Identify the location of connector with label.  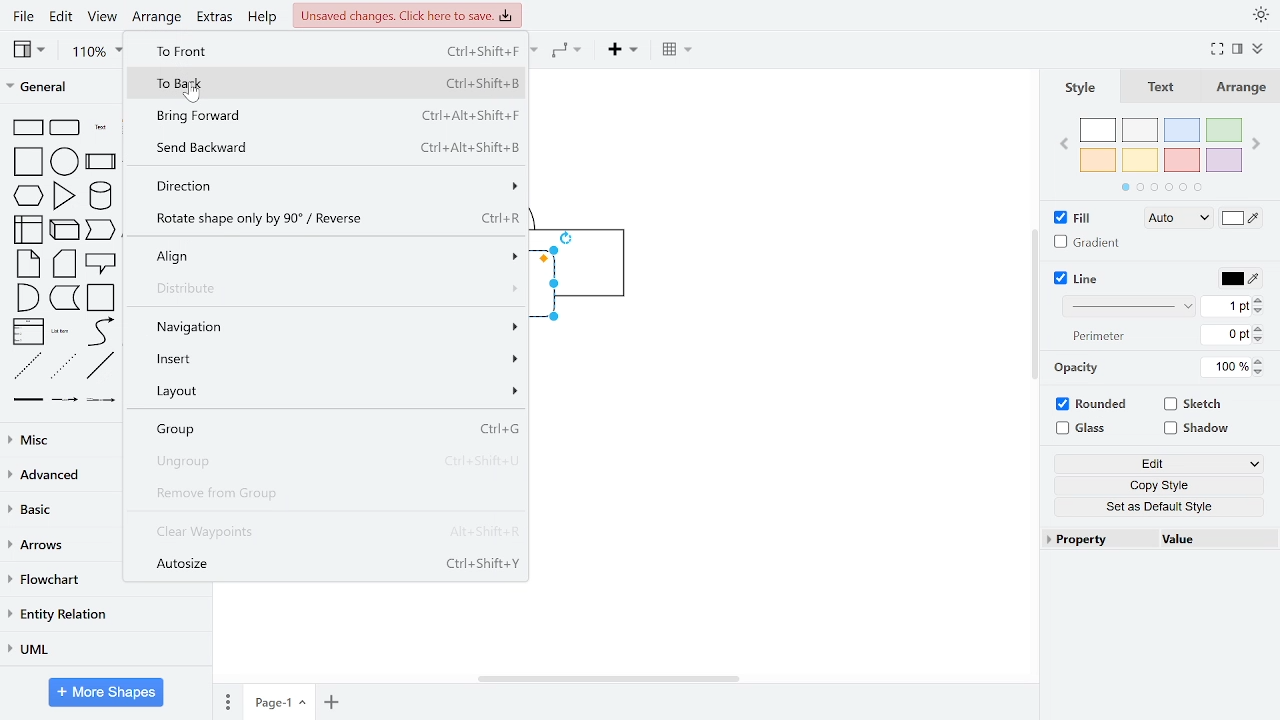
(66, 399).